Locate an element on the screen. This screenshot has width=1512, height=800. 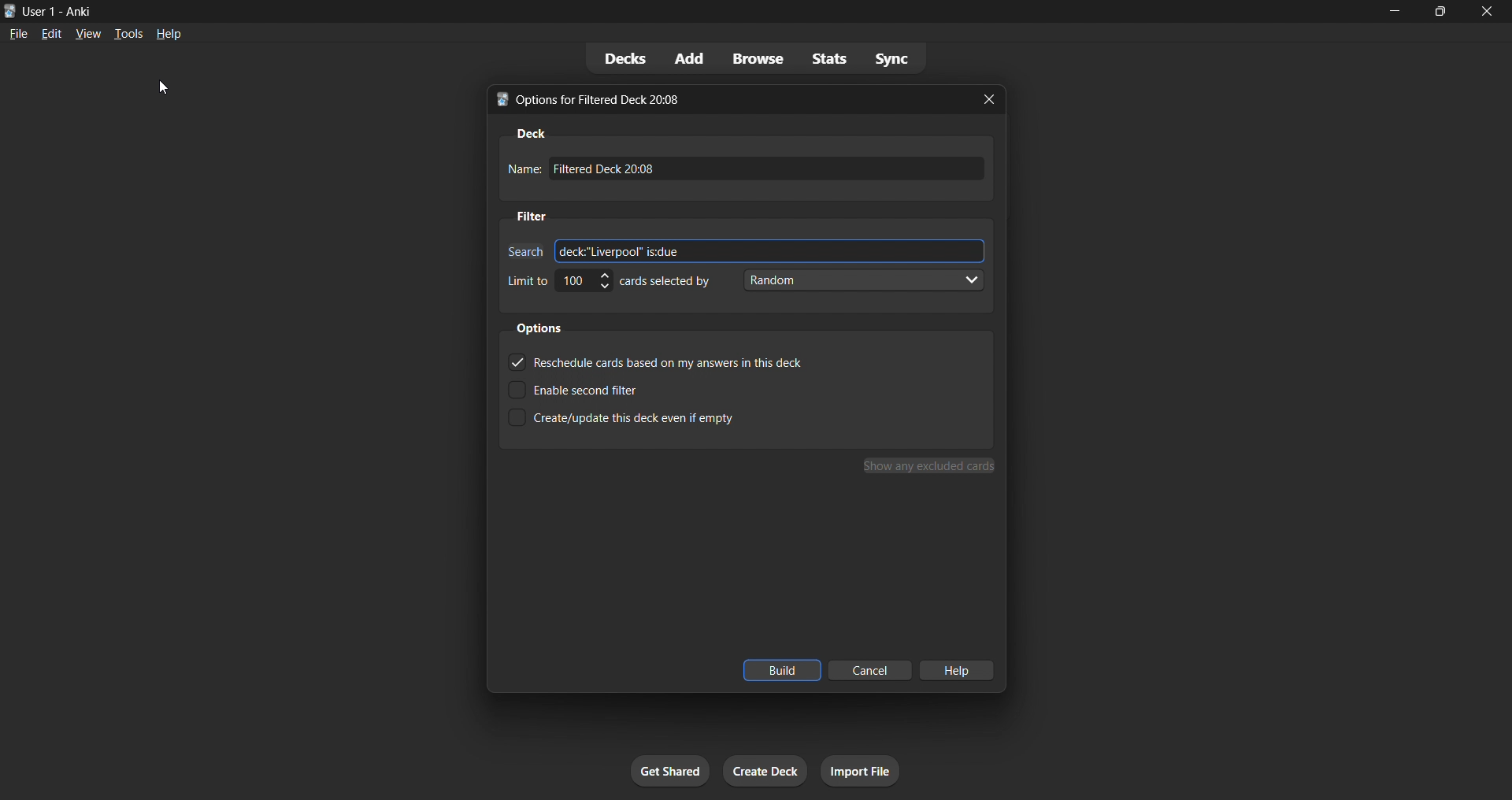
(un)check reschedule cards radio option is located at coordinates (679, 364).